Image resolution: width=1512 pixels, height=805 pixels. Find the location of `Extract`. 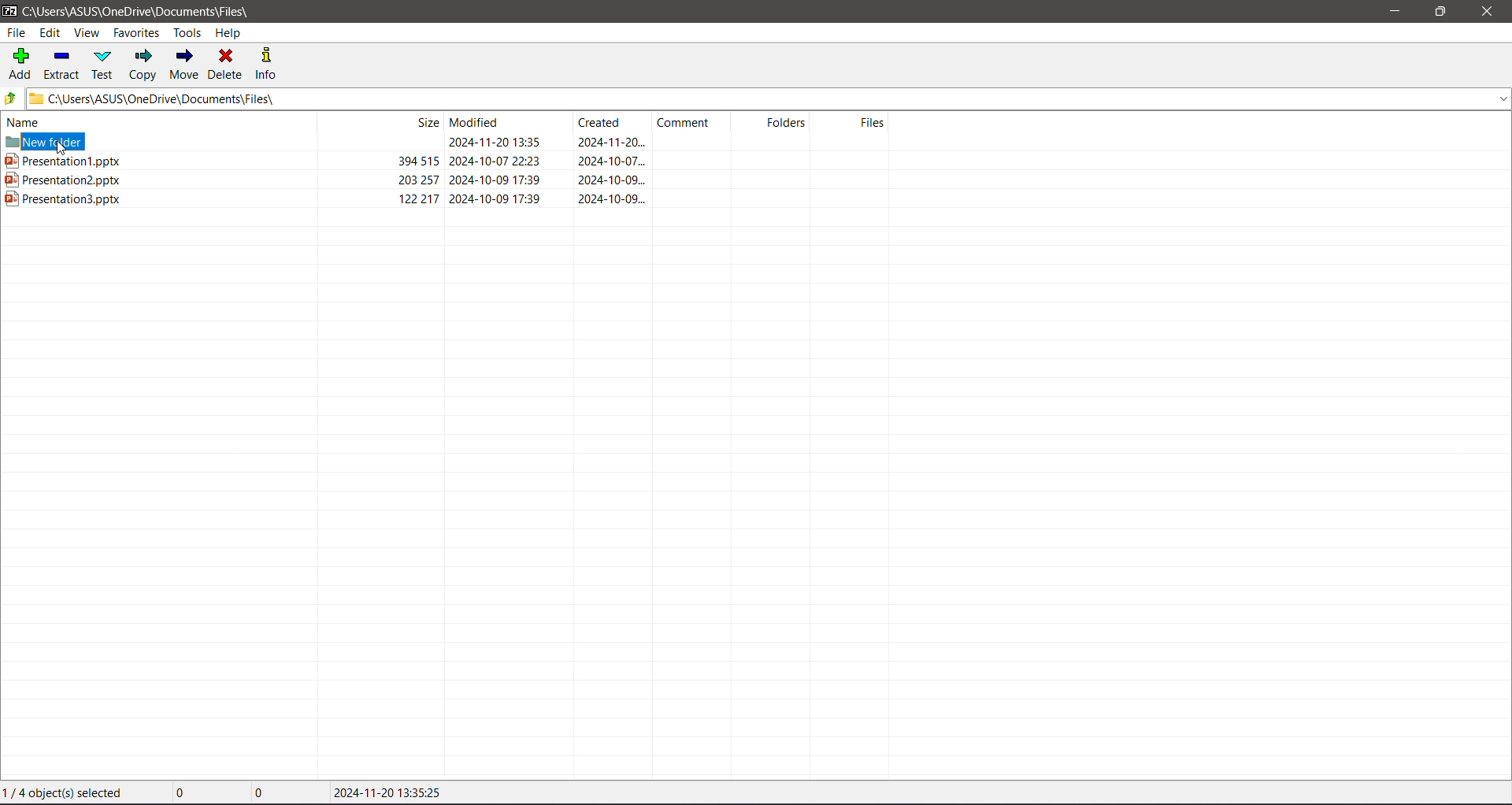

Extract is located at coordinates (62, 65).